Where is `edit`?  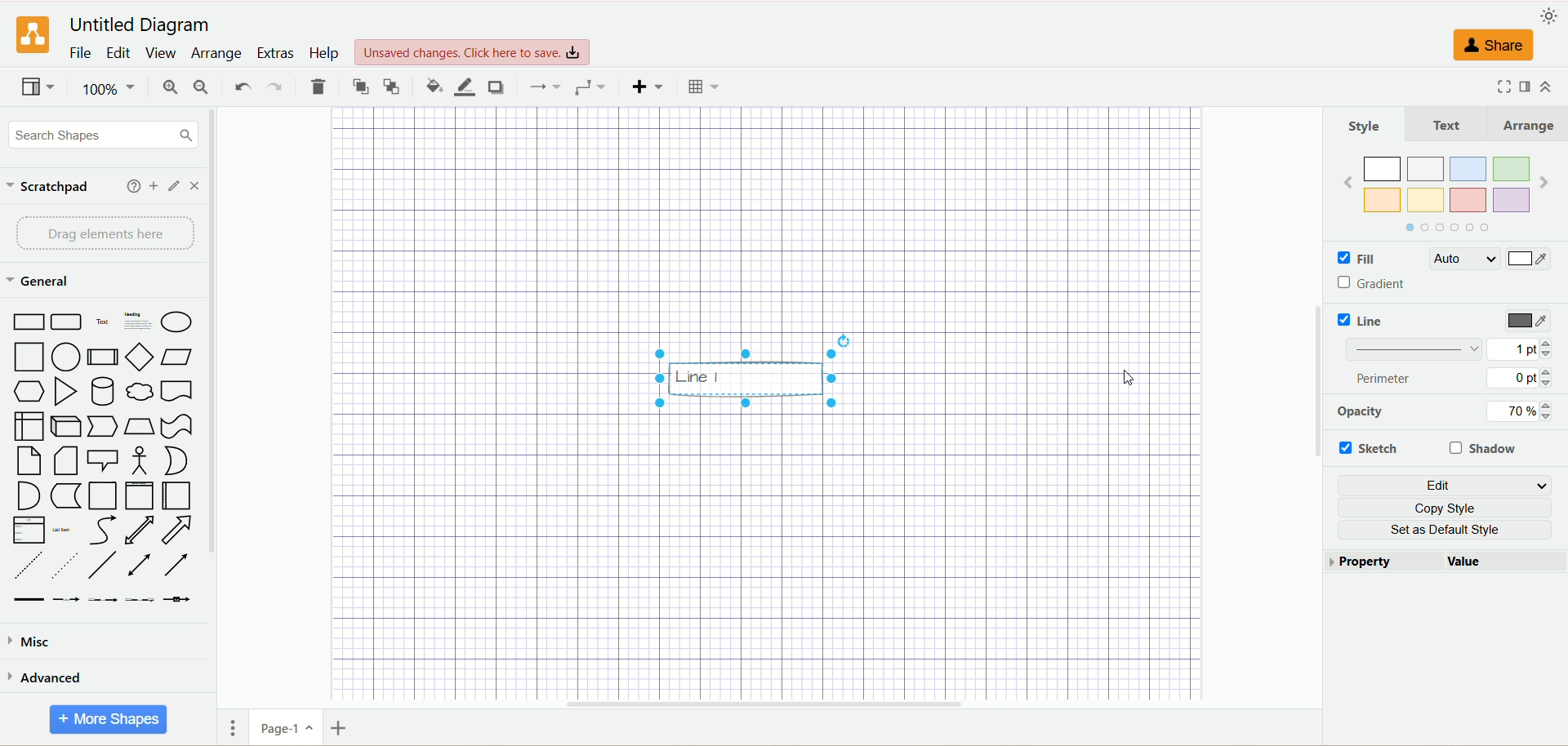
edit is located at coordinates (1443, 484).